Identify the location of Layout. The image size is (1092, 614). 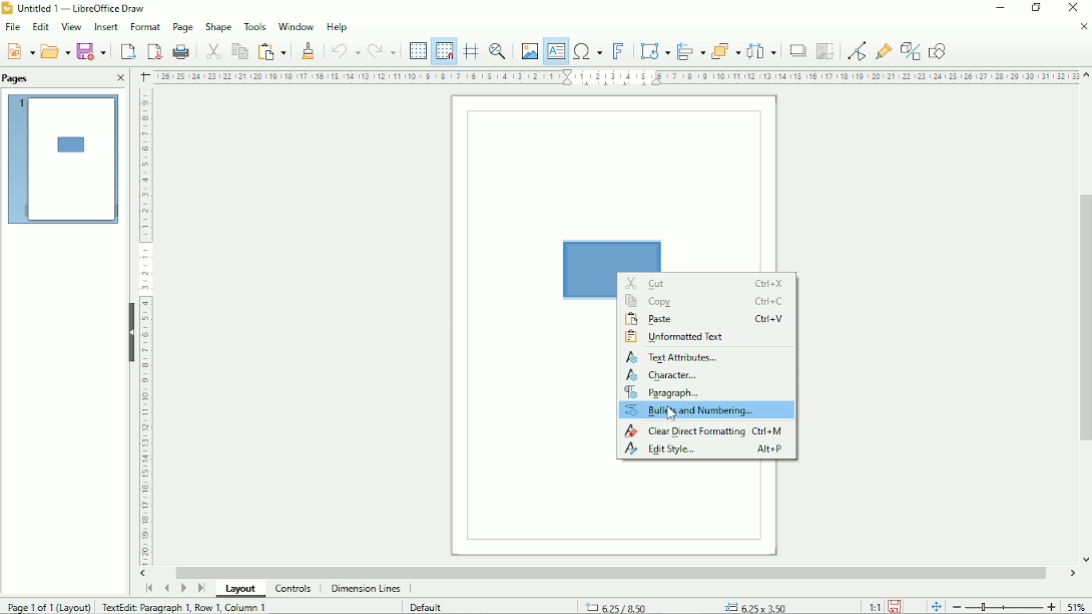
(241, 589).